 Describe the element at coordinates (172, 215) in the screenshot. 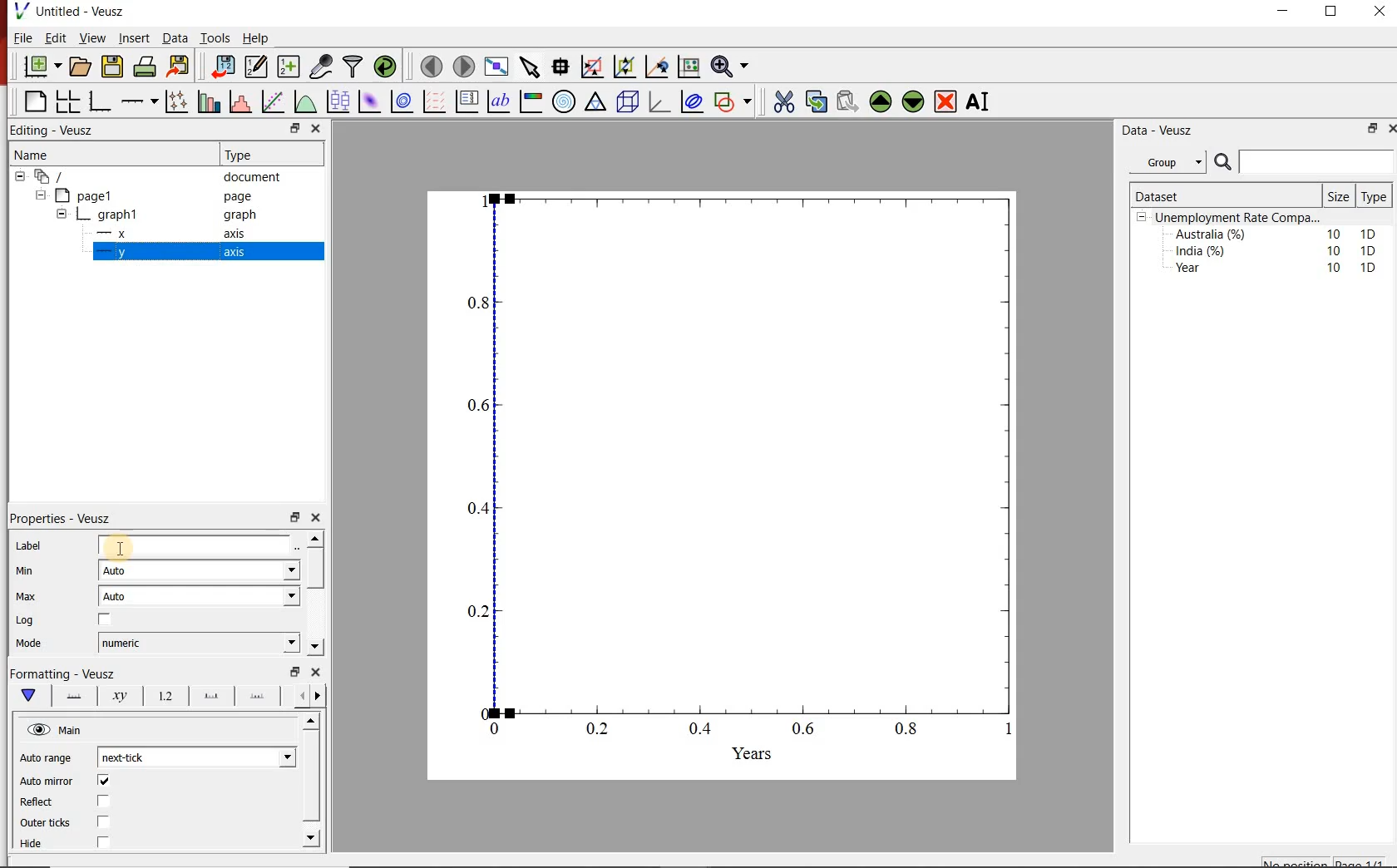

I see `graph1
pl graph` at that location.